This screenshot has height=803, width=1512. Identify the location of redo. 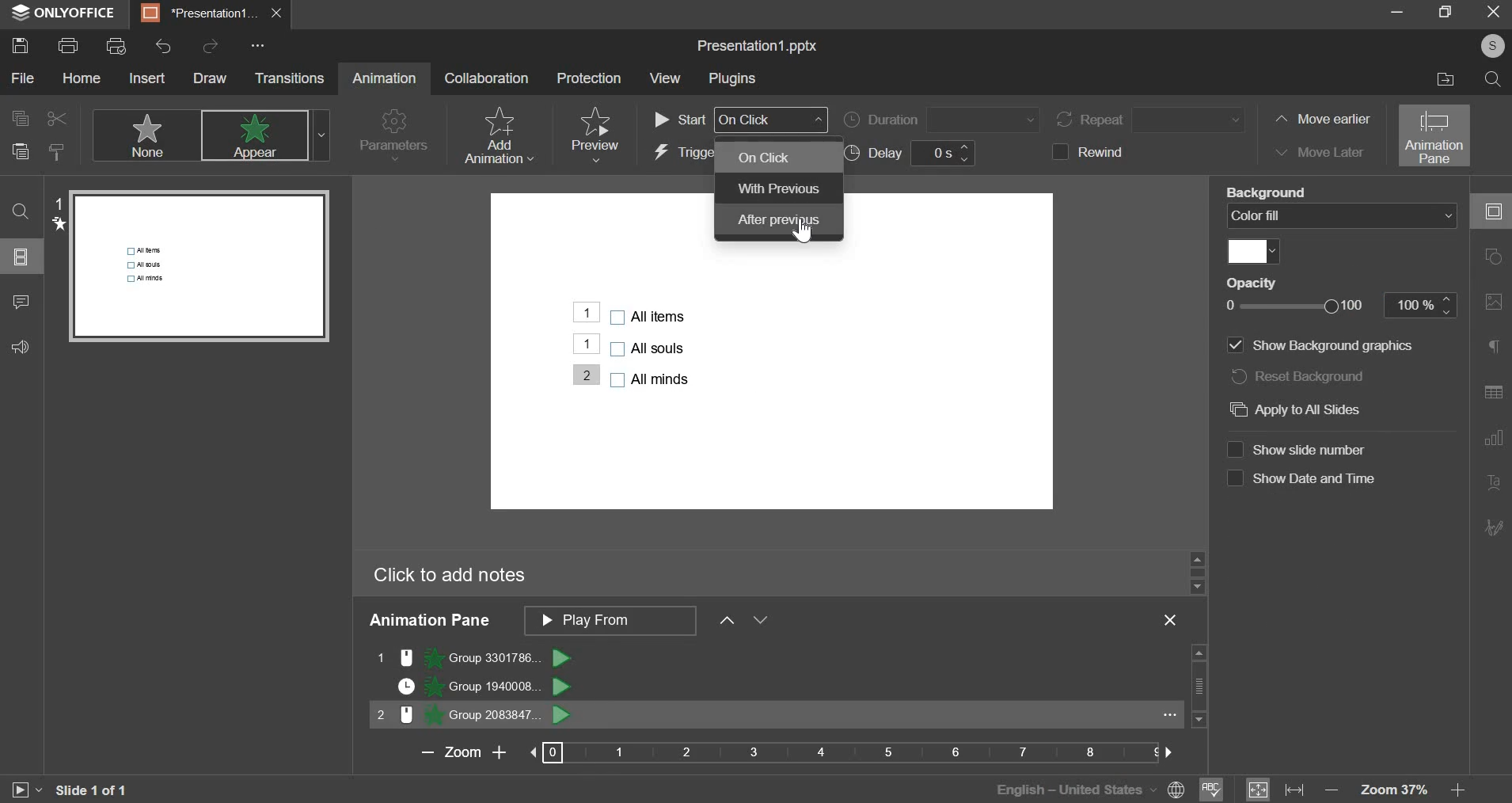
(209, 44).